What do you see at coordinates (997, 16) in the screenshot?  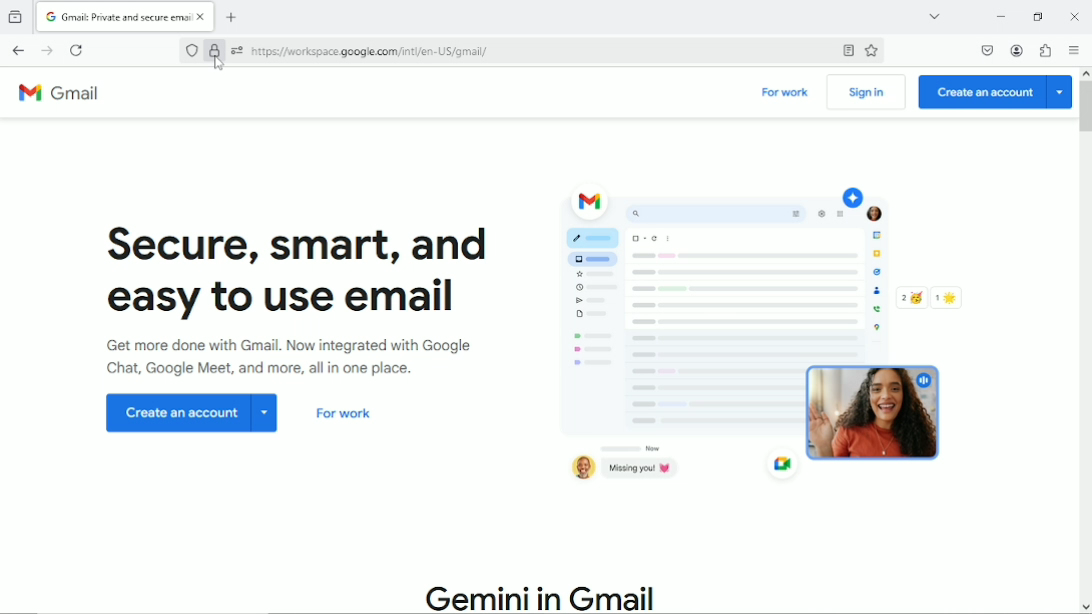 I see `Minimize` at bounding box center [997, 16].